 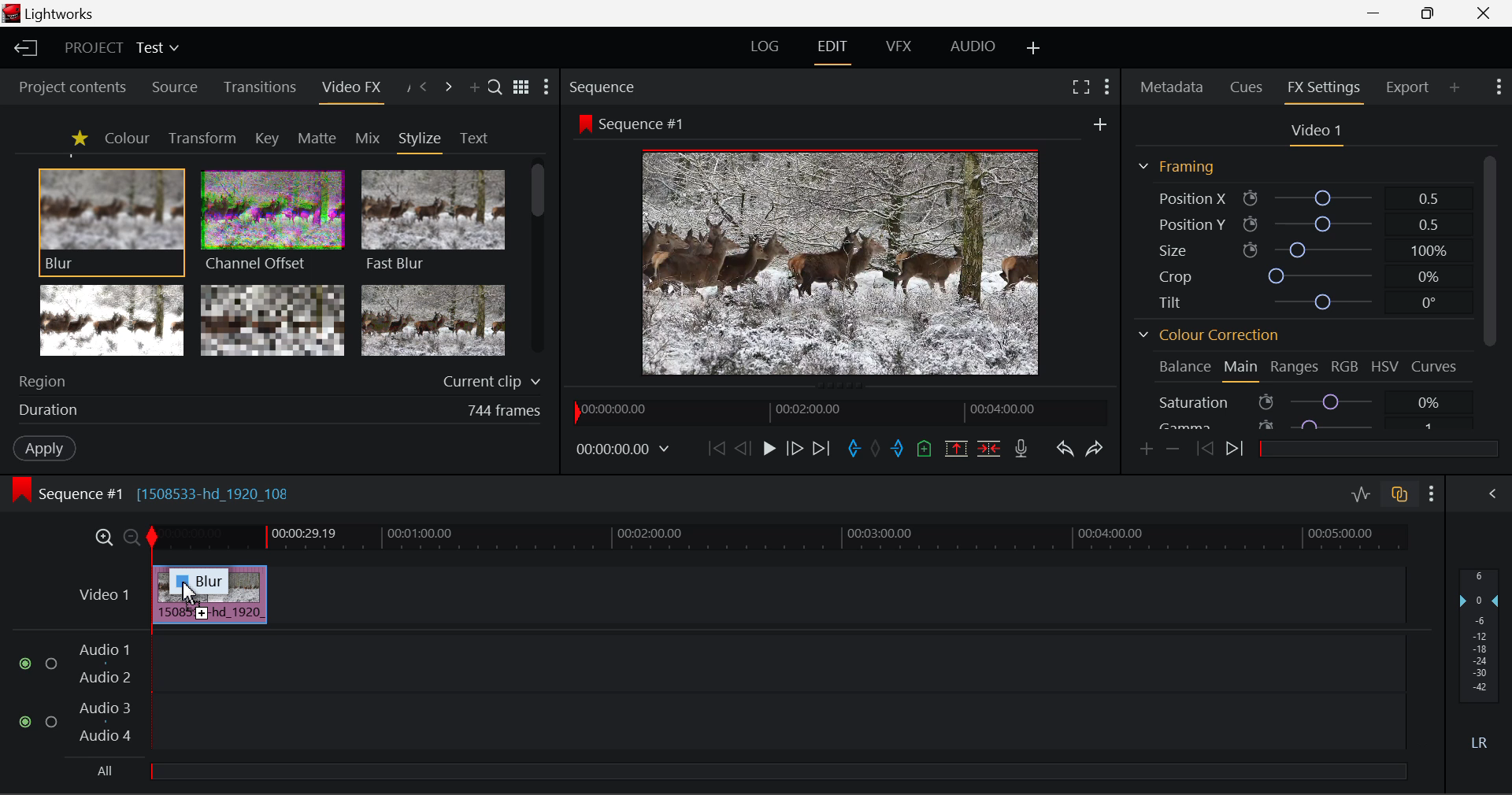 What do you see at coordinates (1295, 368) in the screenshot?
I see `Ranges` at bounding box center [1295, 368].